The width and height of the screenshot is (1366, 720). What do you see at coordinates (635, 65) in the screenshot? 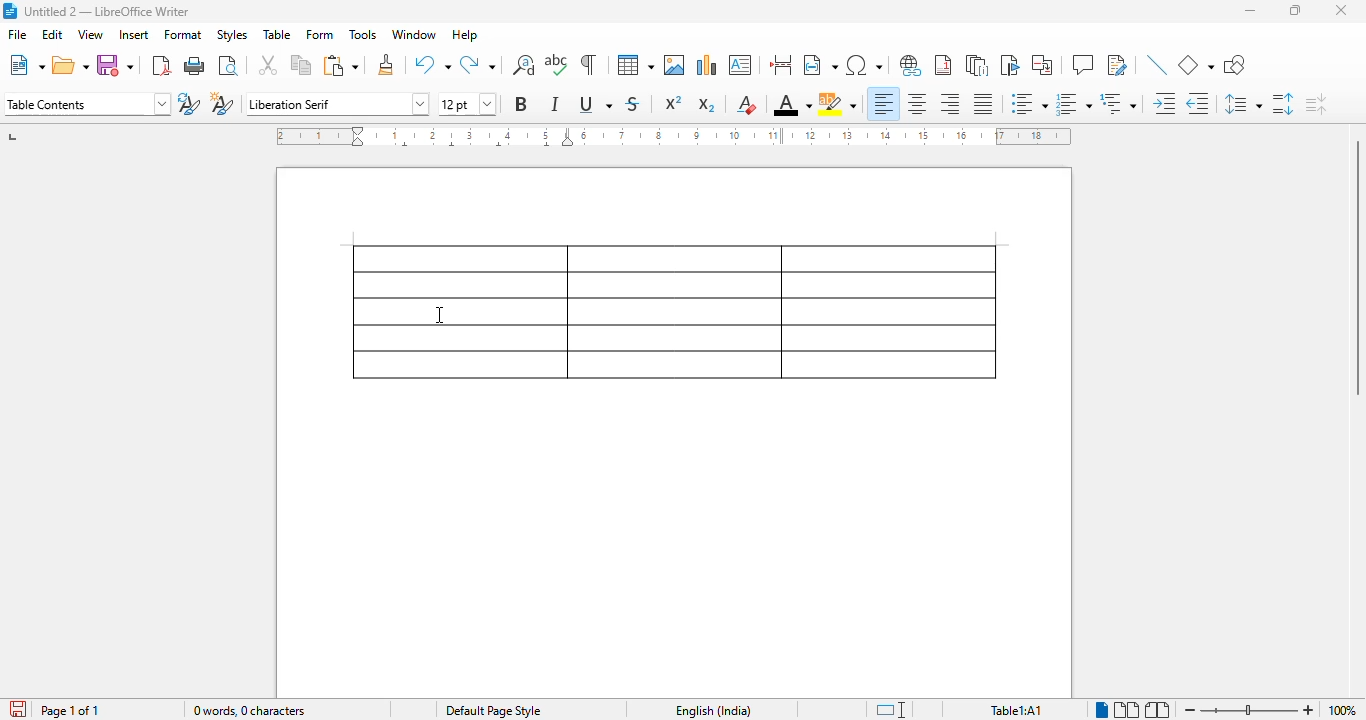
I see `table` at bounding box center [635, 65].